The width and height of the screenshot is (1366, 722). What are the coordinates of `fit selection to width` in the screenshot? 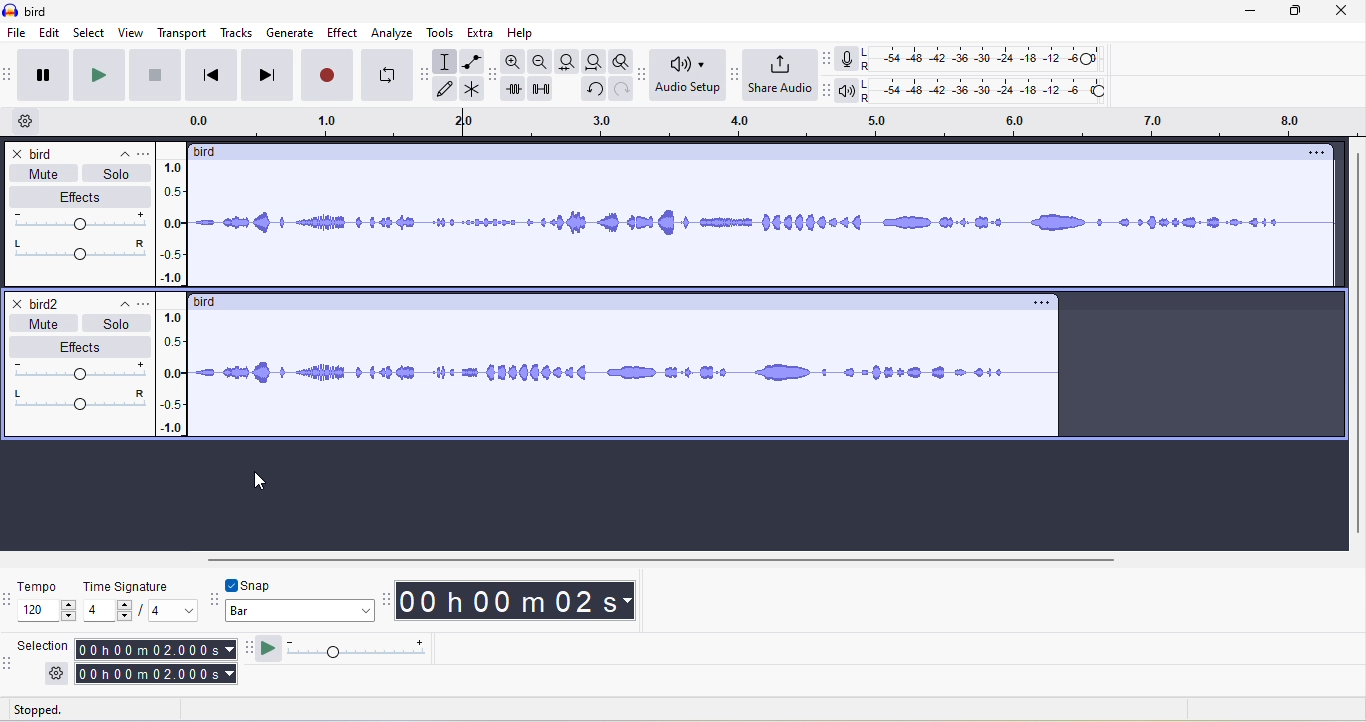 It's located at (564, 62).